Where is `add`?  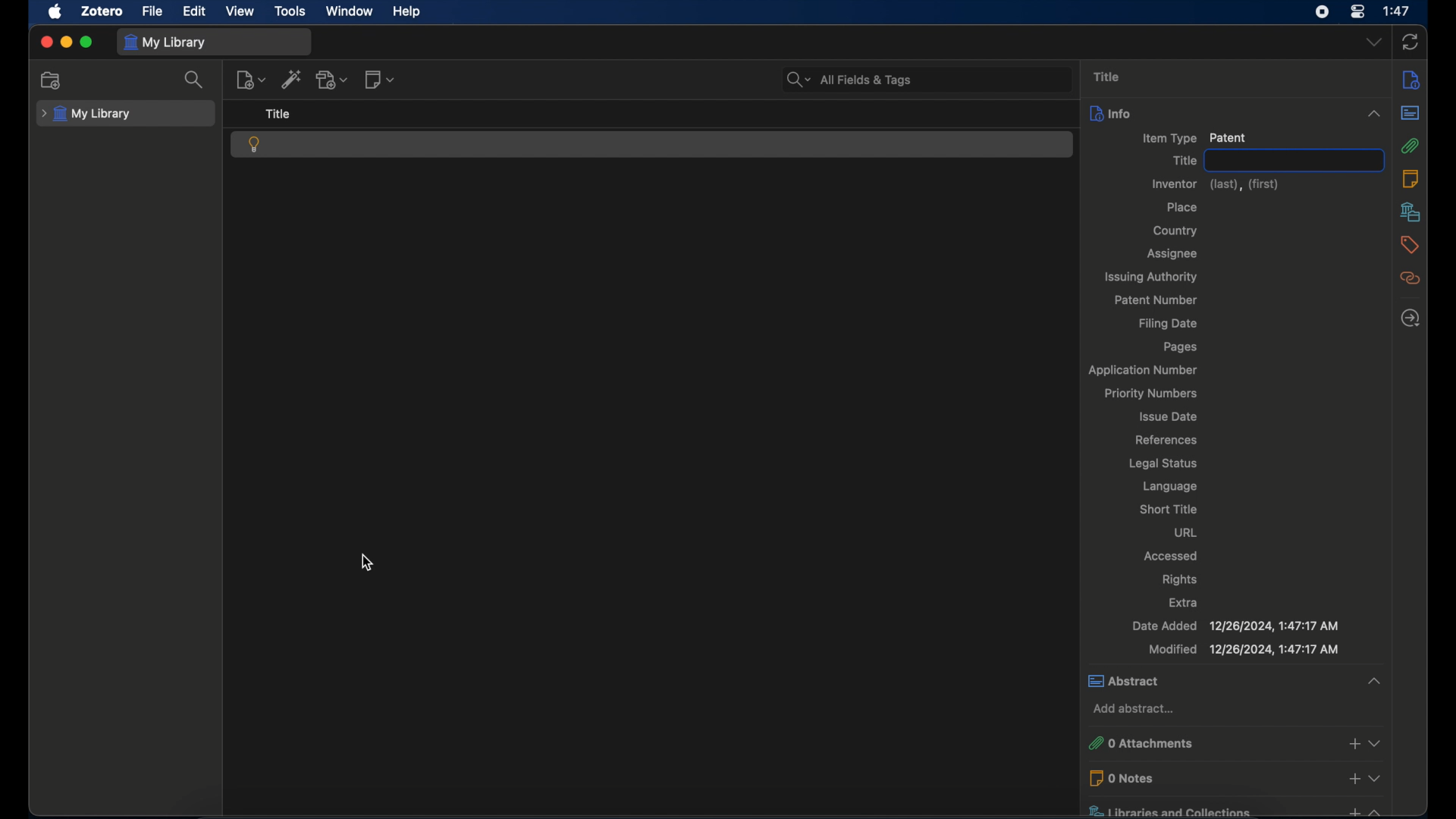
add is located at coordinates (1354, 741).